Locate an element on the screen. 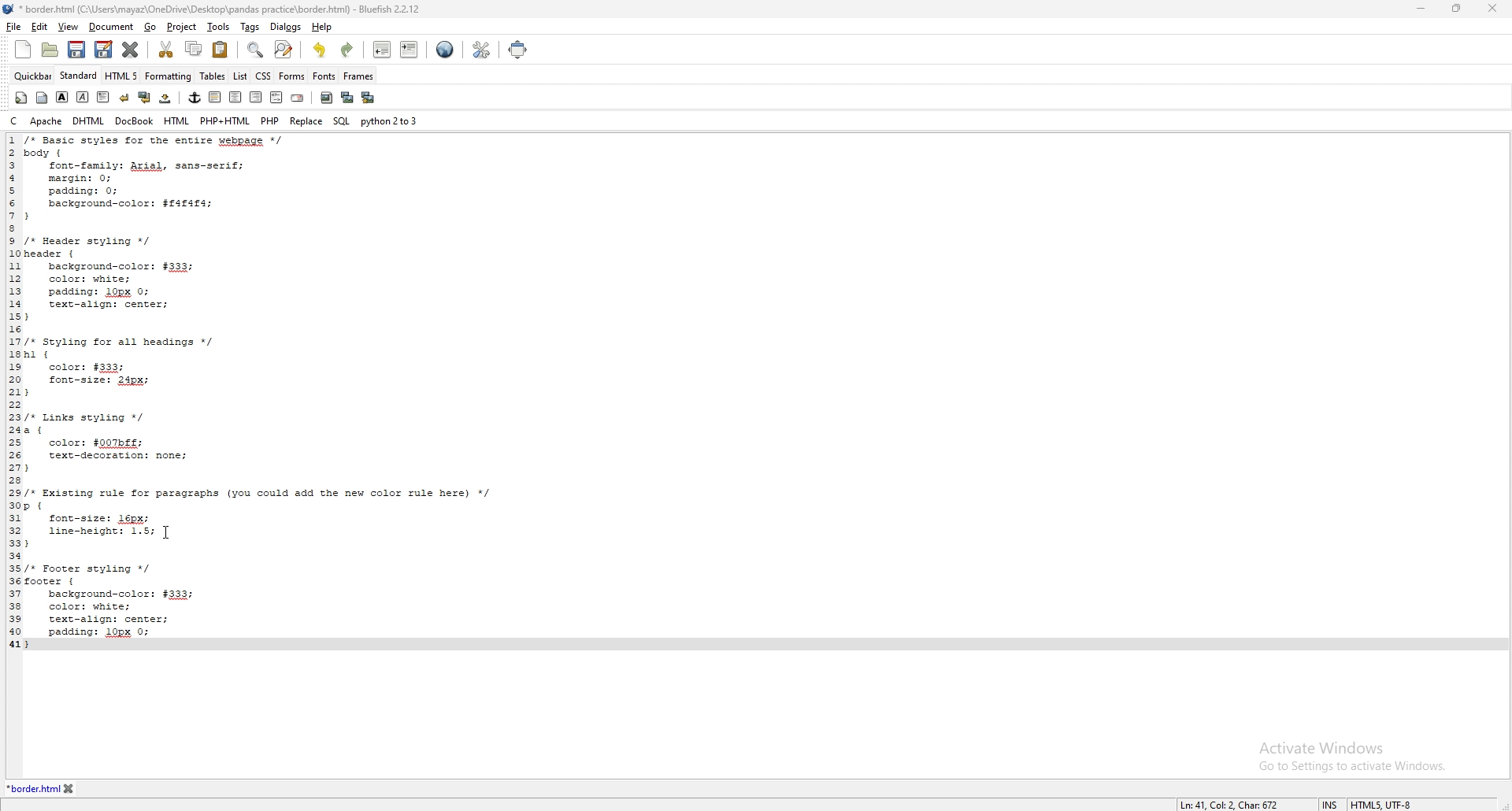  new is located at coordinates (23, 49).